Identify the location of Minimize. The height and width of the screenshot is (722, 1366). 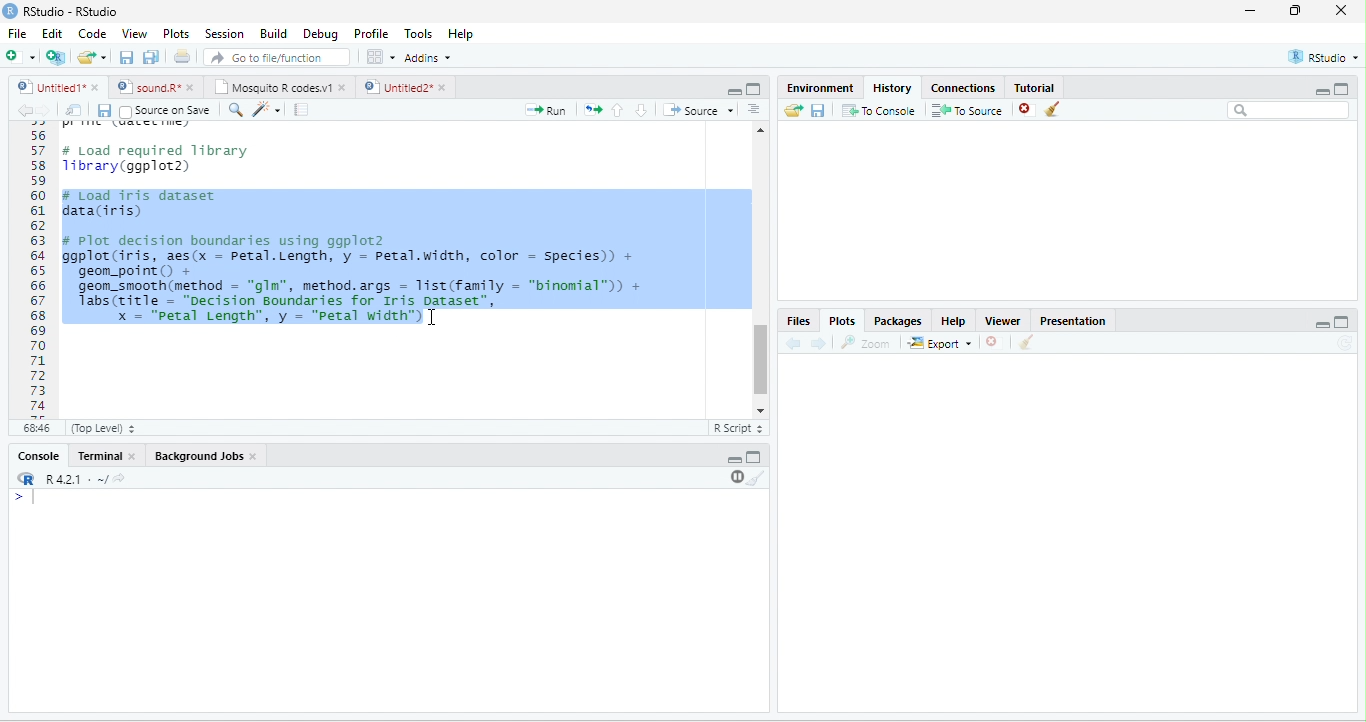
(1322, 326).